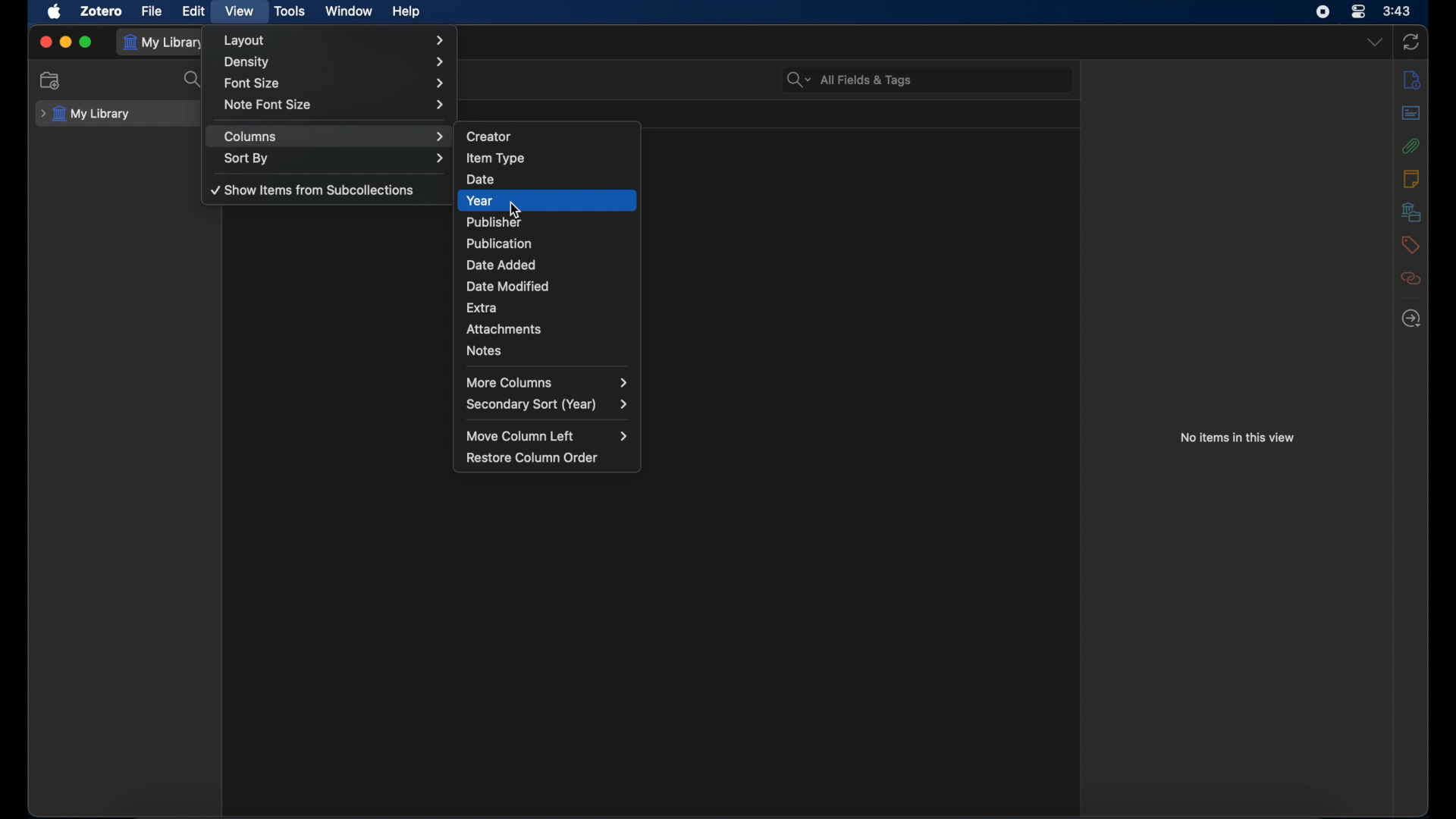 The width and height of the screenshot is (1456, 819). I want to click on search, so click(196, 80).